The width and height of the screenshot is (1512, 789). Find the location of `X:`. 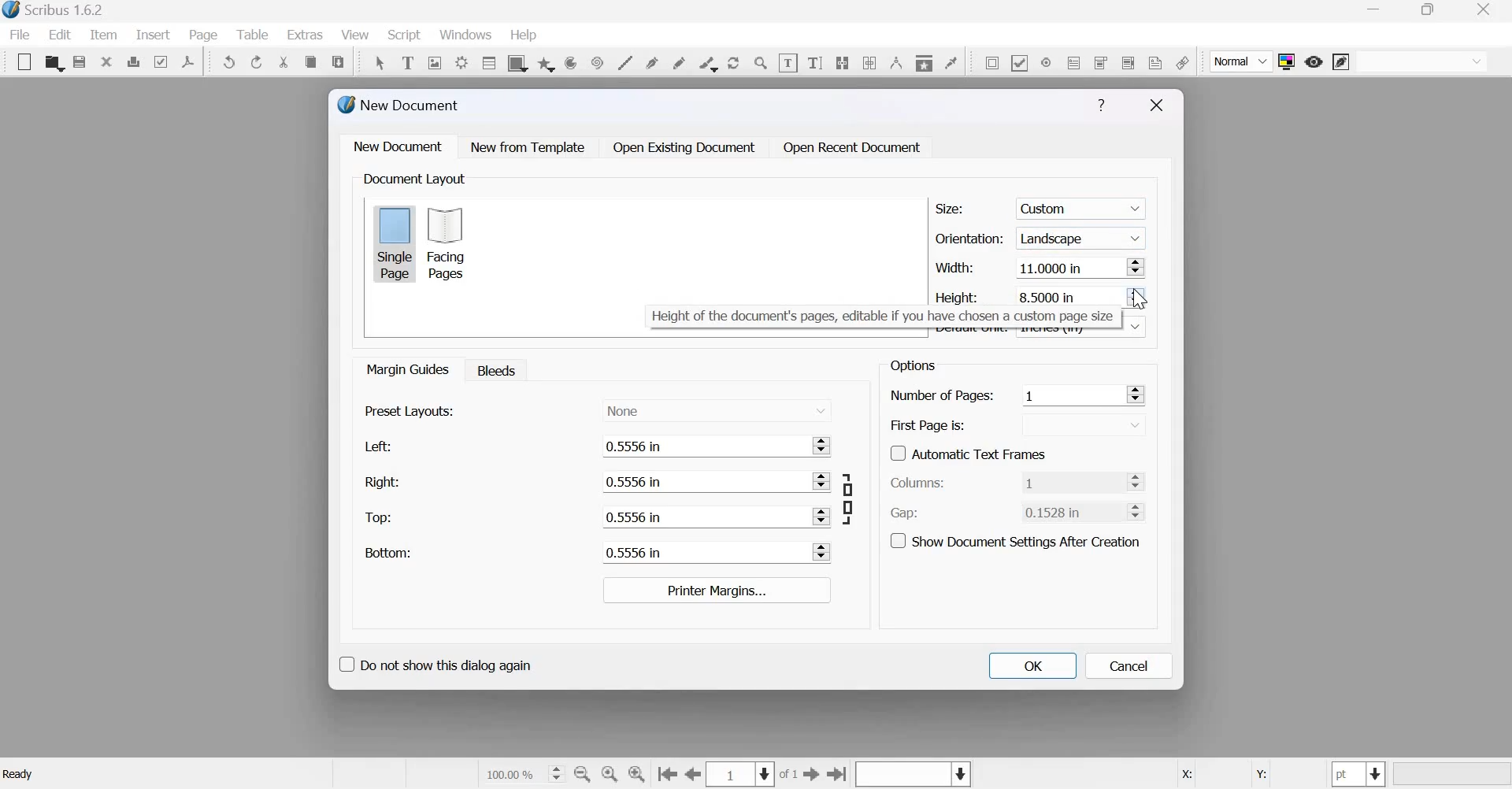

X: is located at coordinates (1185, 775).